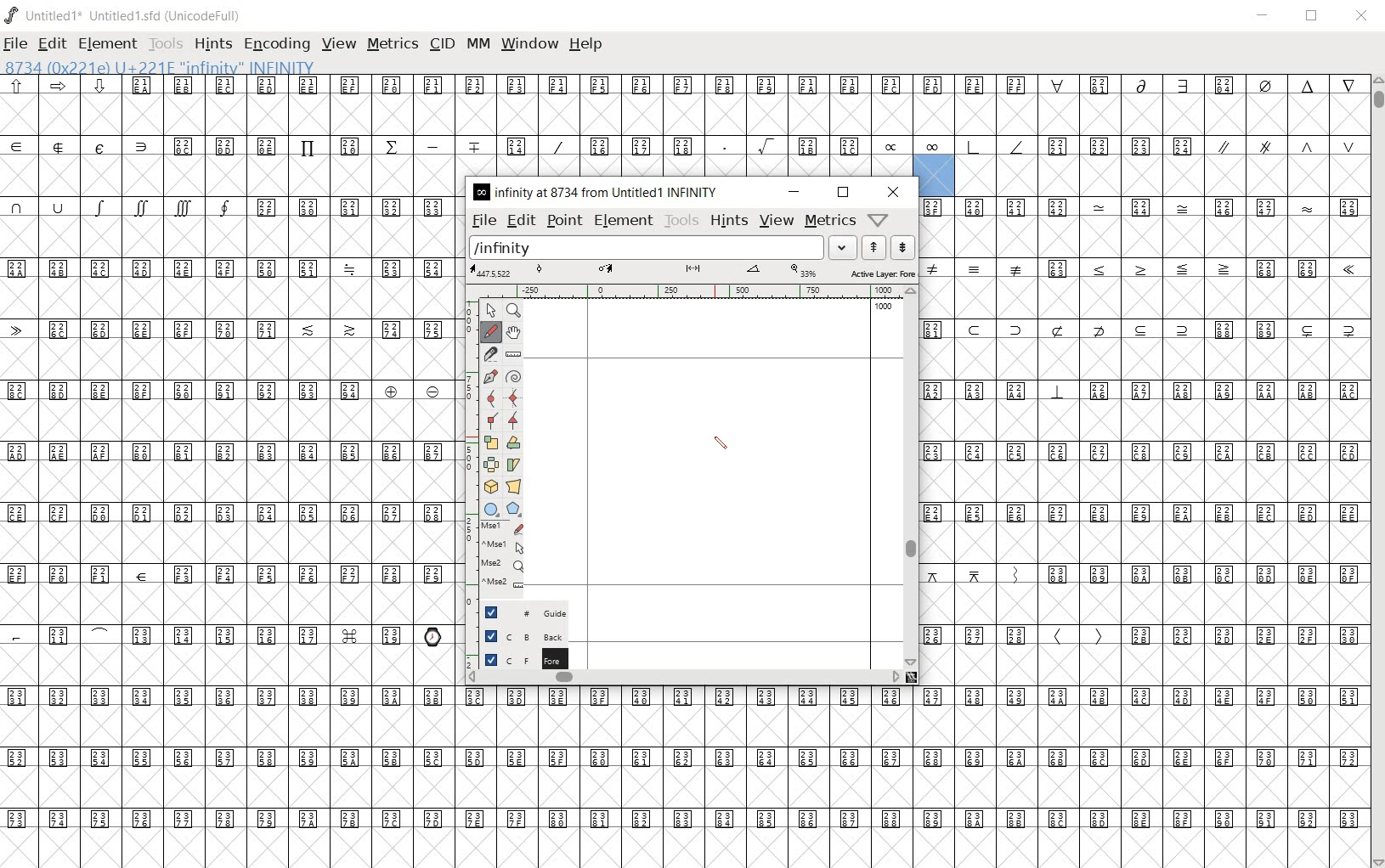 The image size is (1385, 868). Describe the element at coordinates (721, 442) in the screenshot. I see `pen tool/CURSOR LOCATION` at that location.